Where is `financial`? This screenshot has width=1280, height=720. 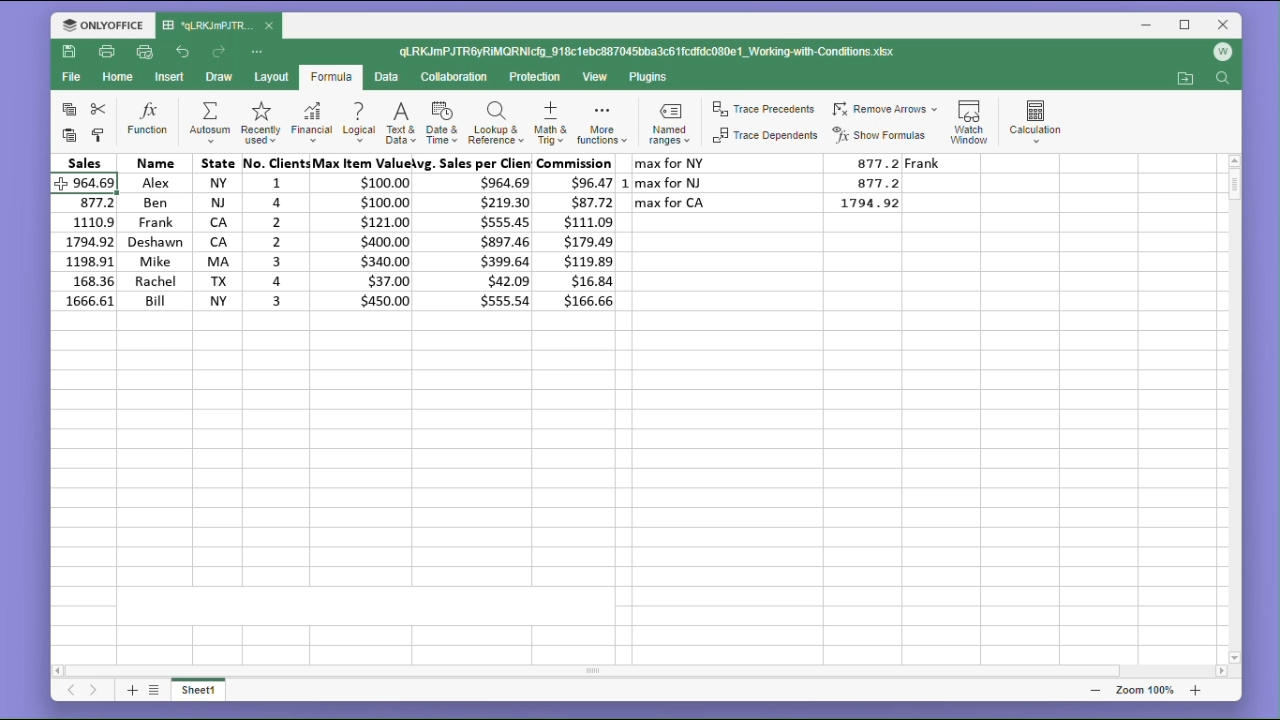 financial is located at coordinates (310, 124).